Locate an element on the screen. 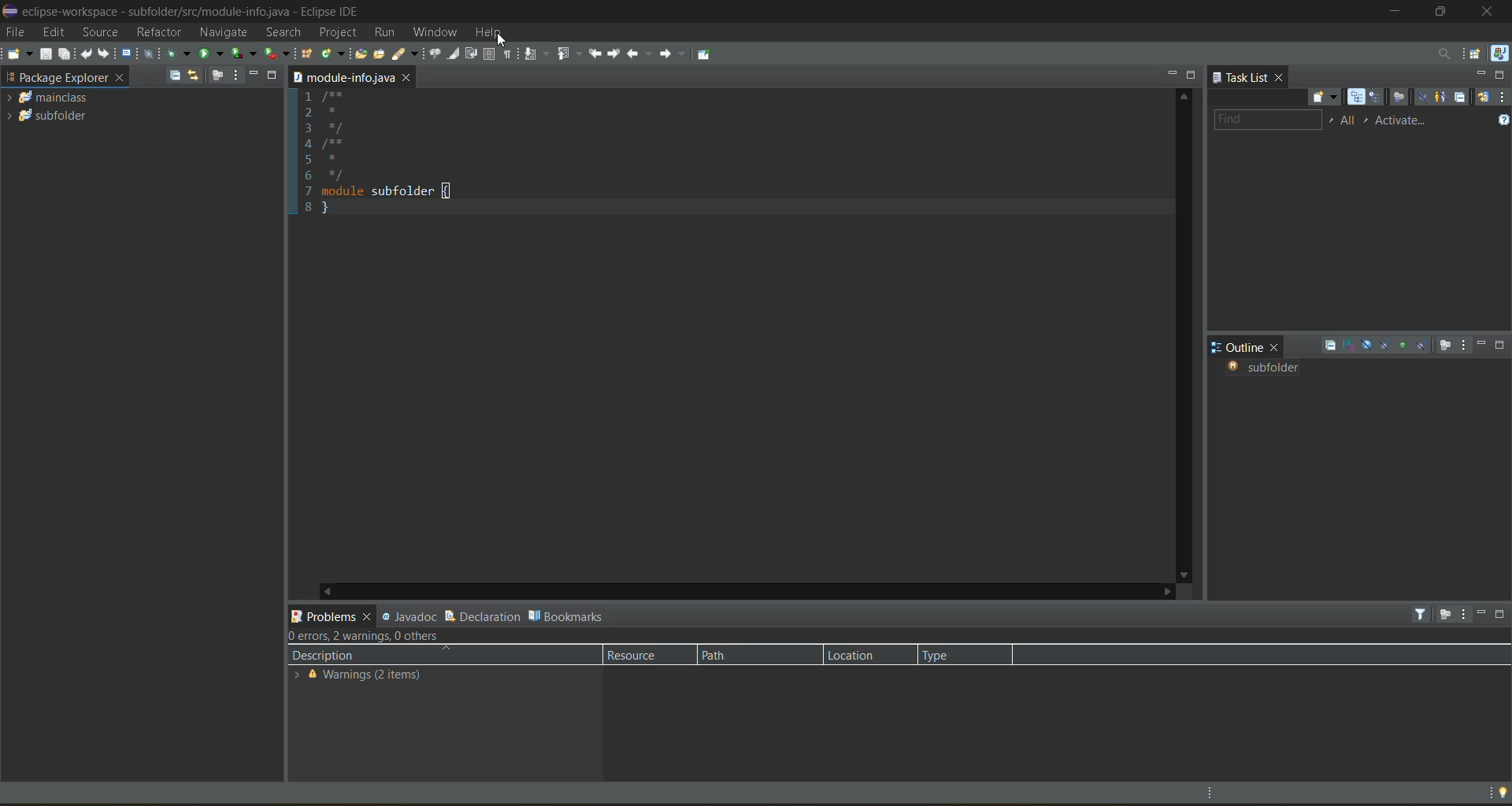 The width and height of the screenshot is (1512, 806). view menu is located at coordinates (1465, 346).